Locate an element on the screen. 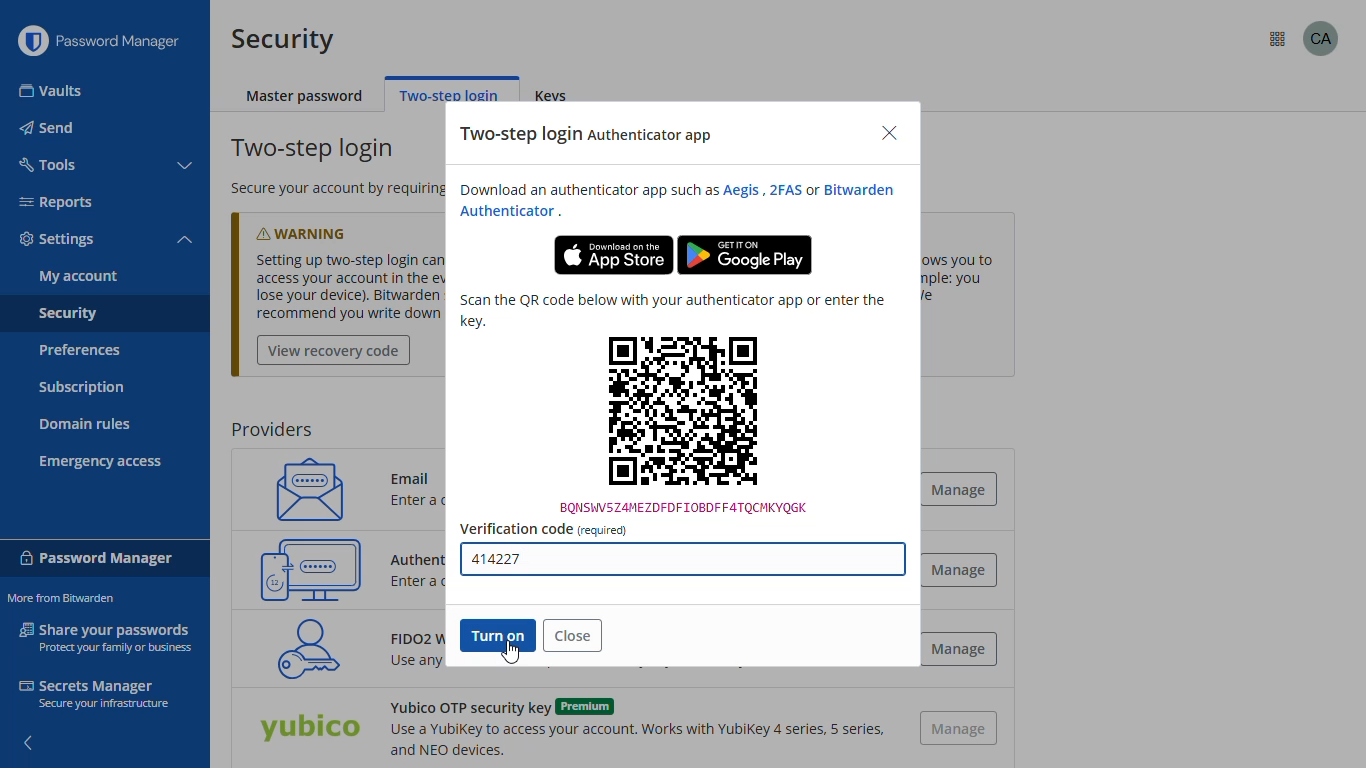  my account is located at coordinates (79, 276).